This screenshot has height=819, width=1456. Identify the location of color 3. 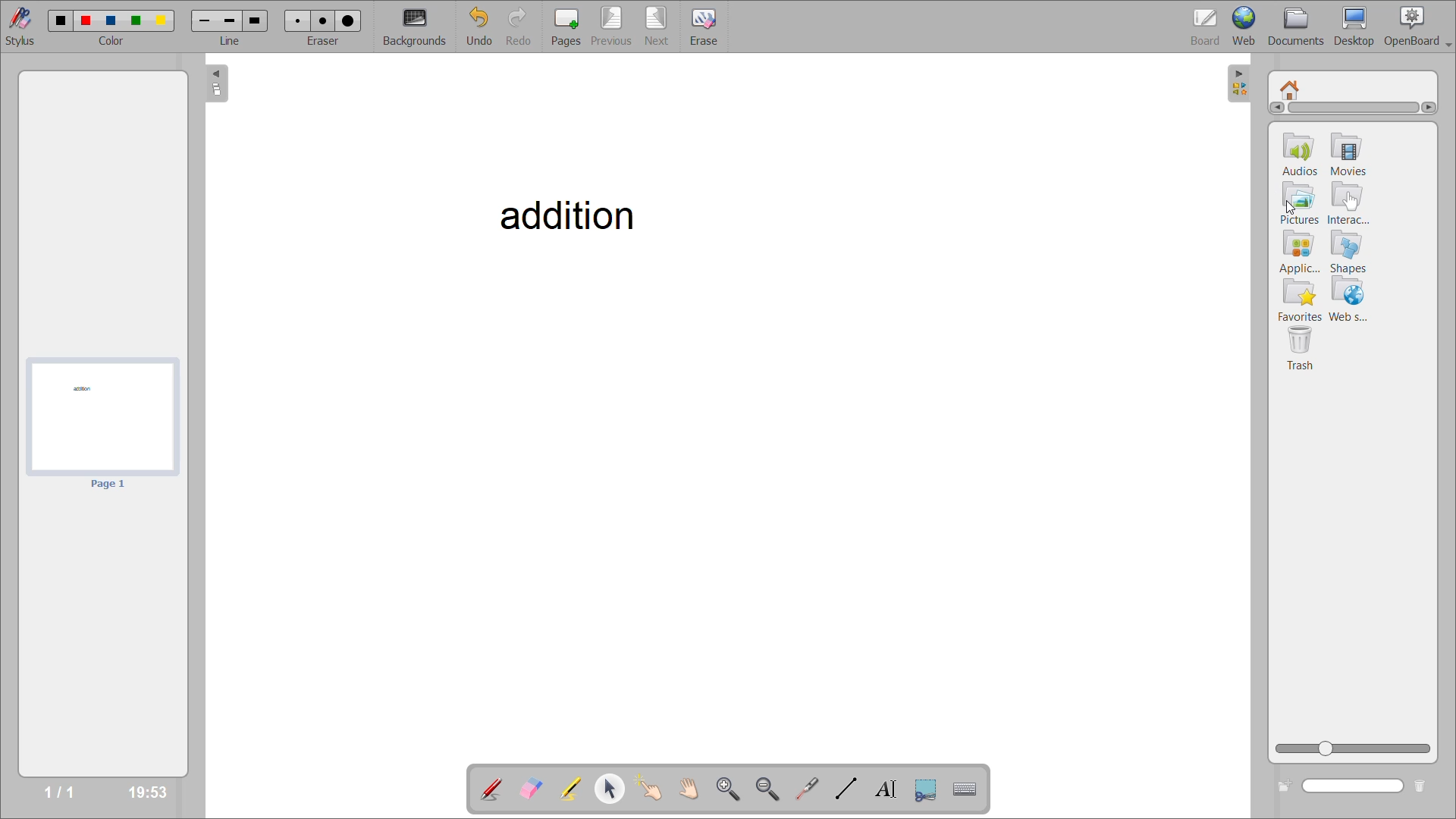
(109, 20).